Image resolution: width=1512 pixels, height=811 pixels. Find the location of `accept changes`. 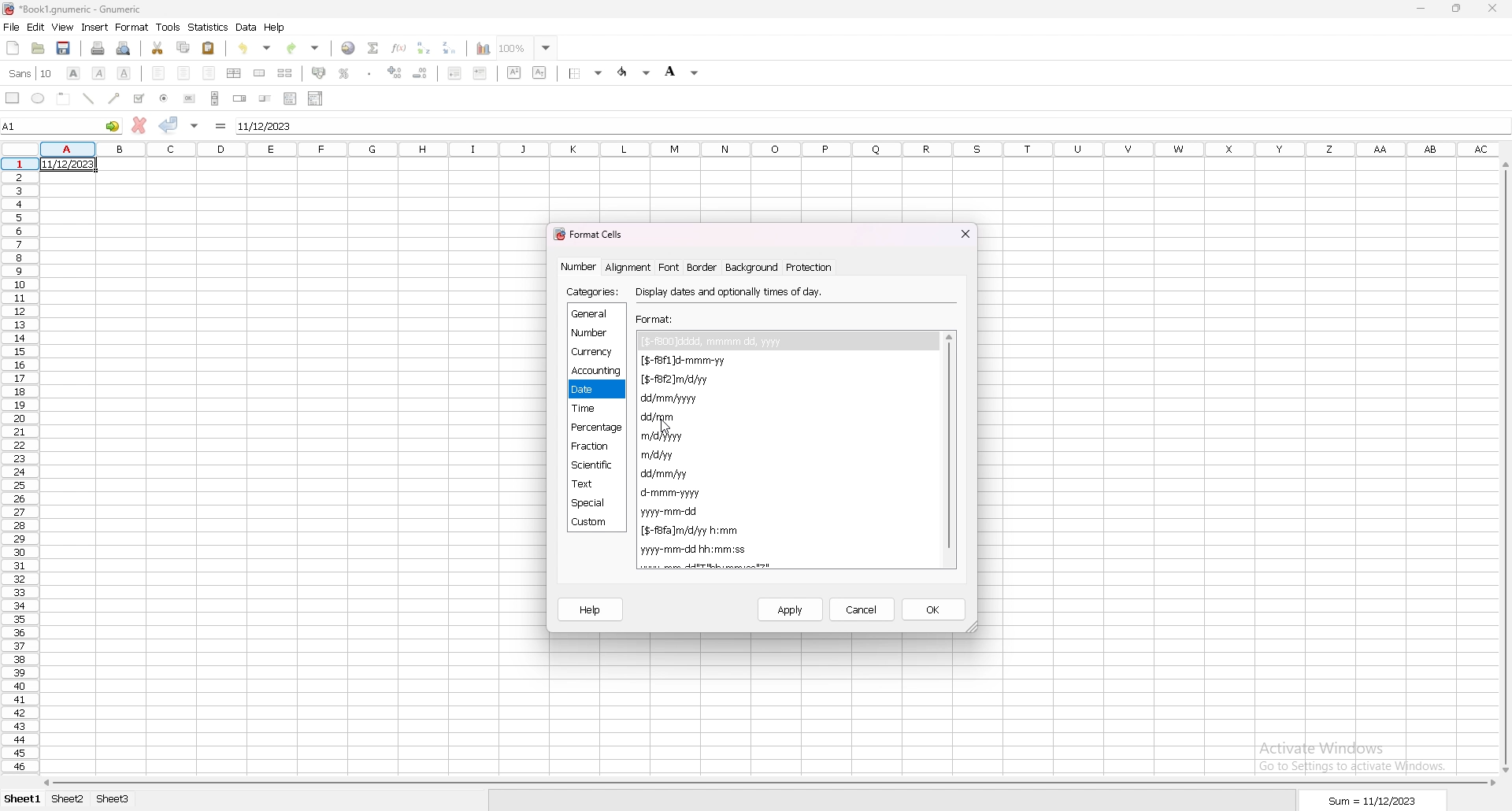

accept changes is located at coordinates (168, 124).